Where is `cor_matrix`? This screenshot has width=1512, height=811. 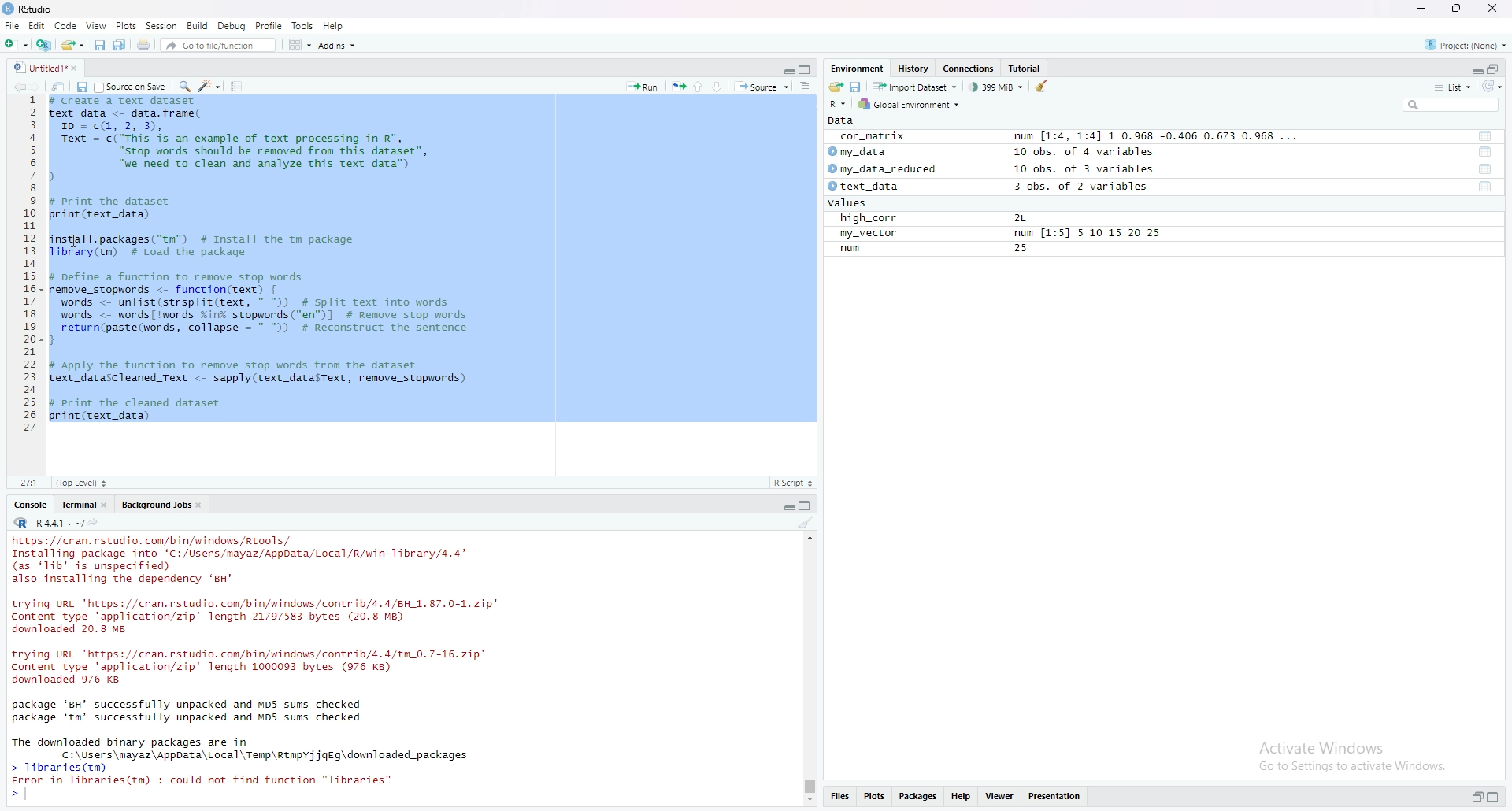
cor_matrix is located at coordinates (872, 136).